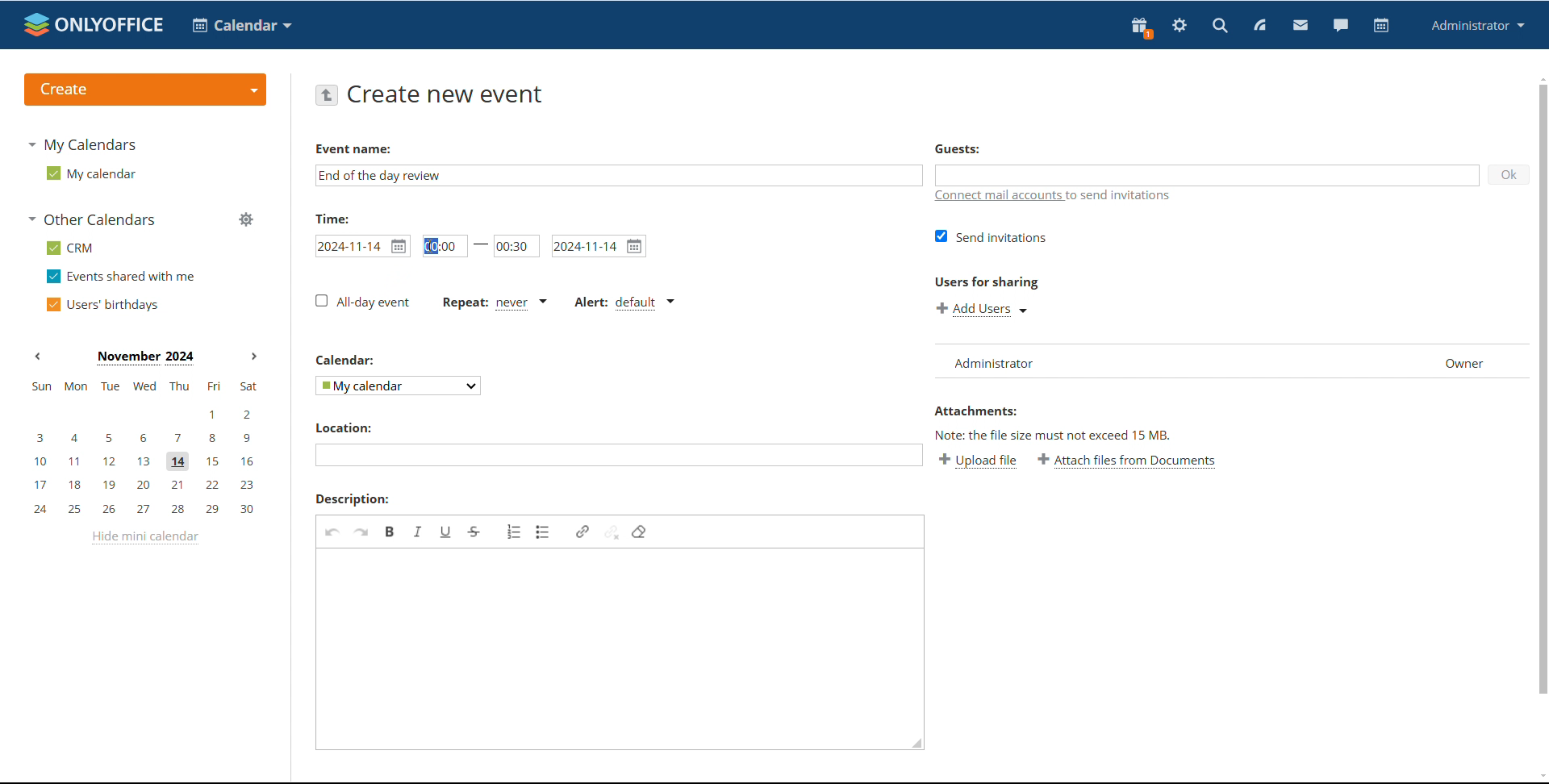 This screenshot has height=784, width=1549. I want to click on send invitations, so click(992, 236).